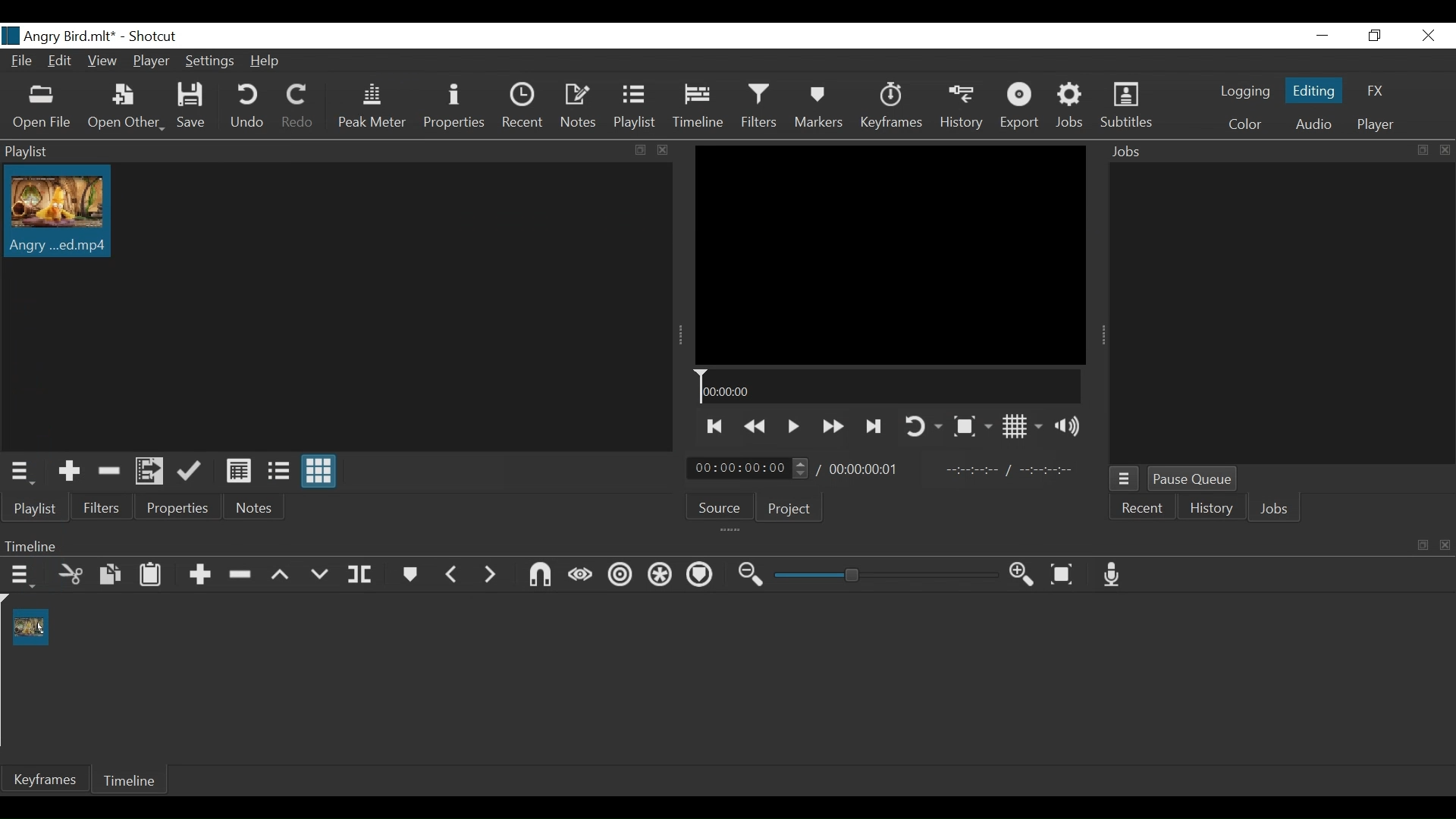  What do you see at coordinates (370, 106) in the screenshot?
I see `Peak Meter` at bounding box center [370, 106].